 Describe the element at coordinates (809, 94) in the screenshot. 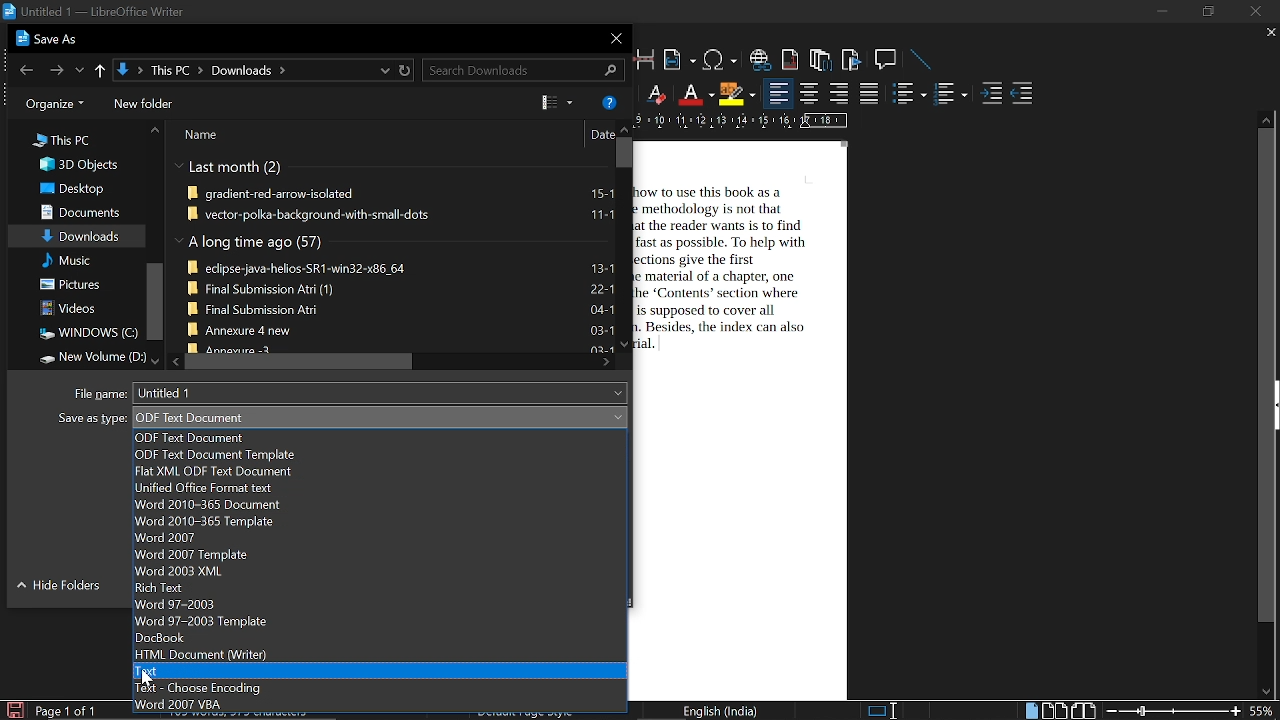

I see `align center` at that location.